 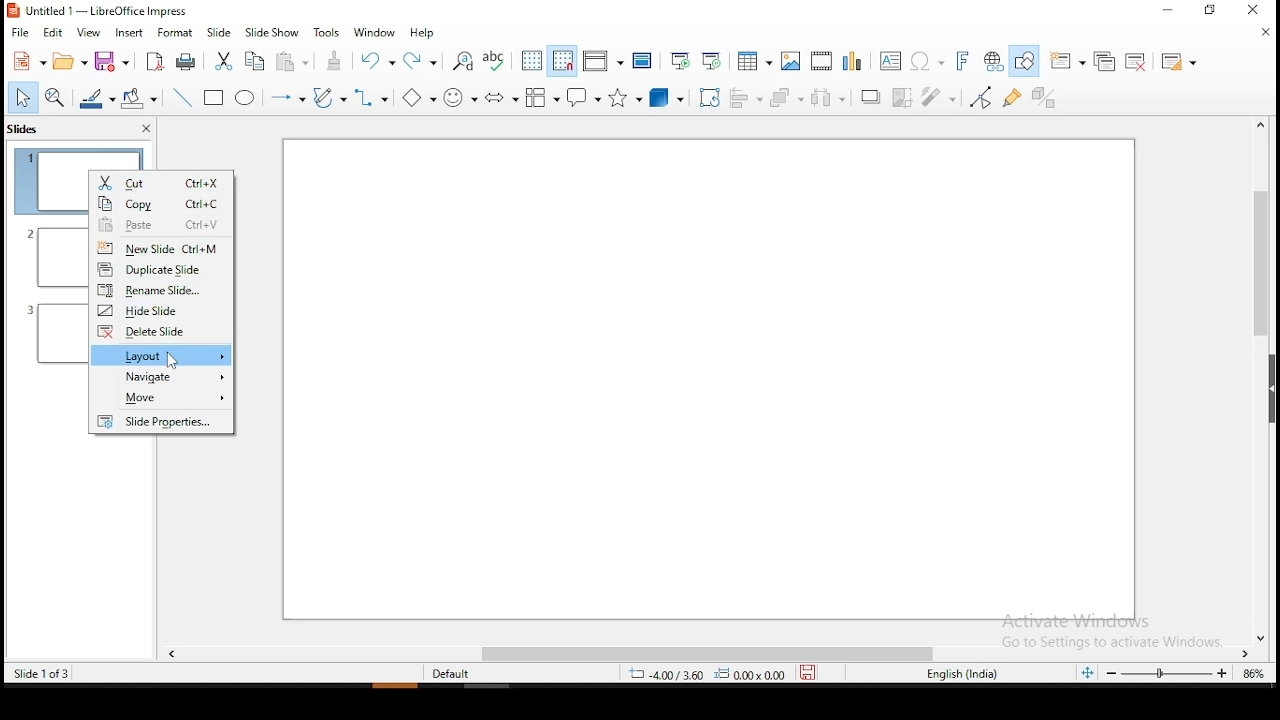 What do you see at coordinates (246, 100) in the screenshot?
I see `ellipse` at bounding box center [246, 100].